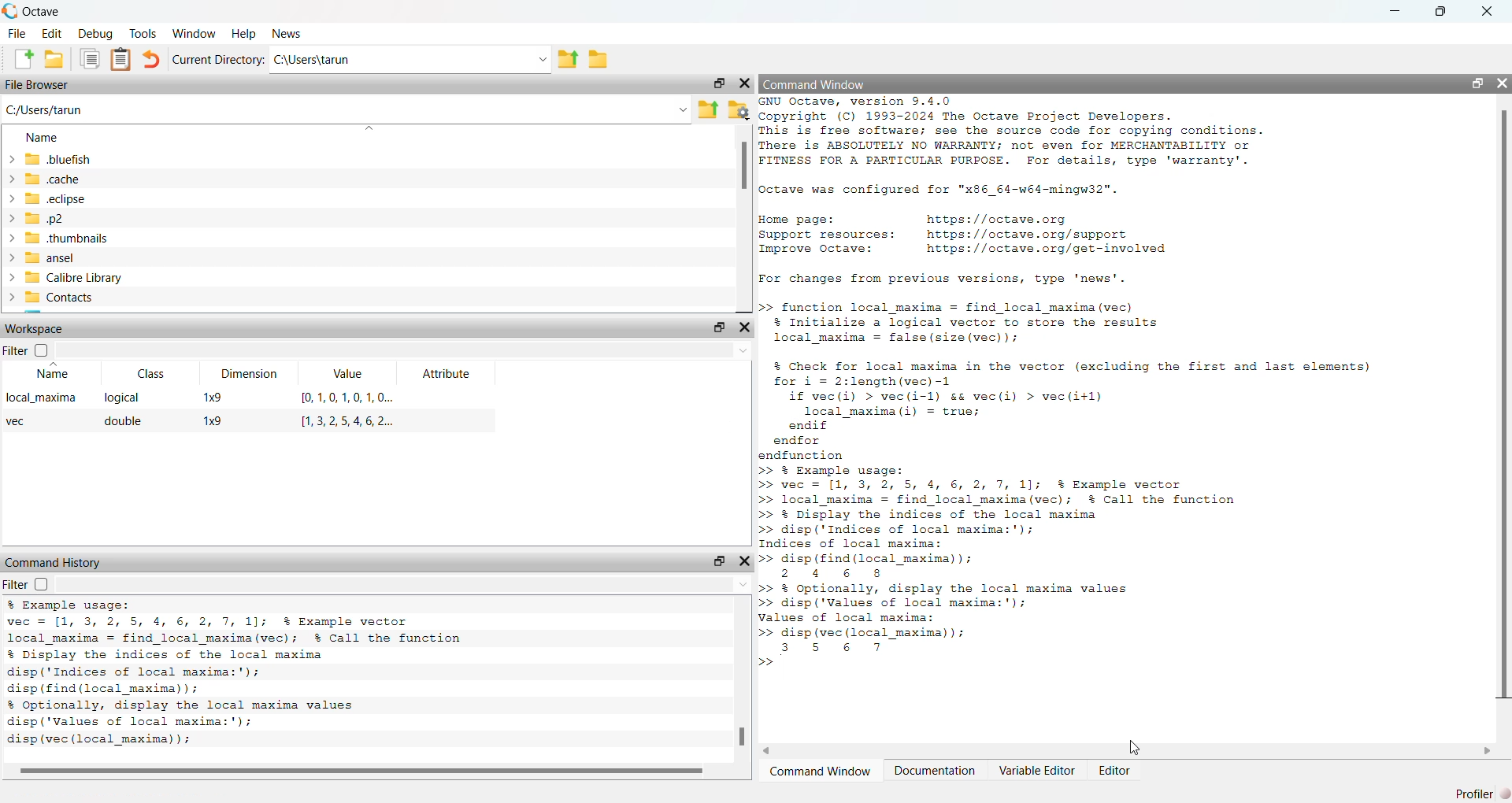 The height and width of the screenshot is (803, 1512). What do you see at coordinates (218, 59) in the screenshot?
I see `Current Directory:` at bounding box center [218, 59].